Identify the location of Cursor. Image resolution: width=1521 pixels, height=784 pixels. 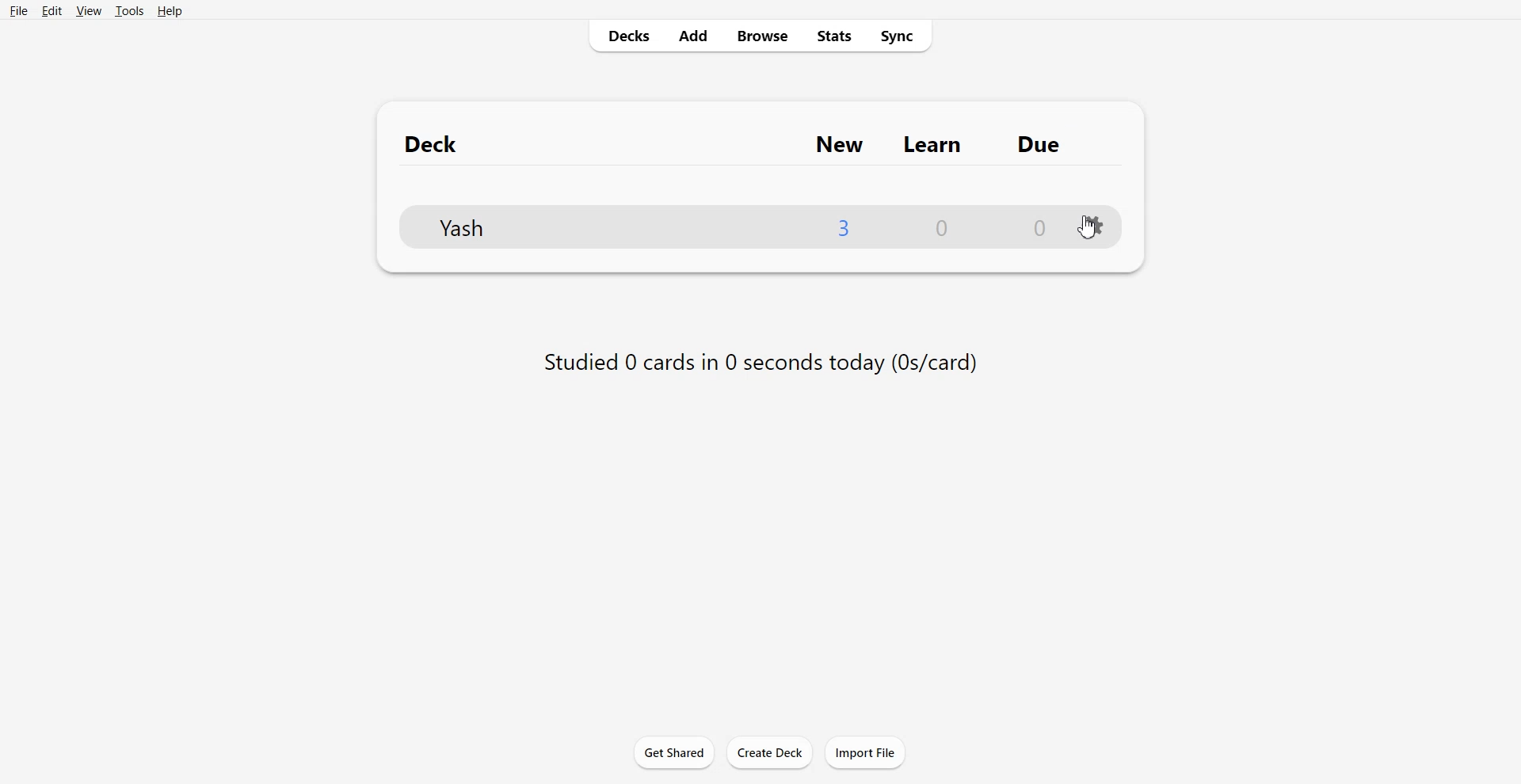
(1090, 227).